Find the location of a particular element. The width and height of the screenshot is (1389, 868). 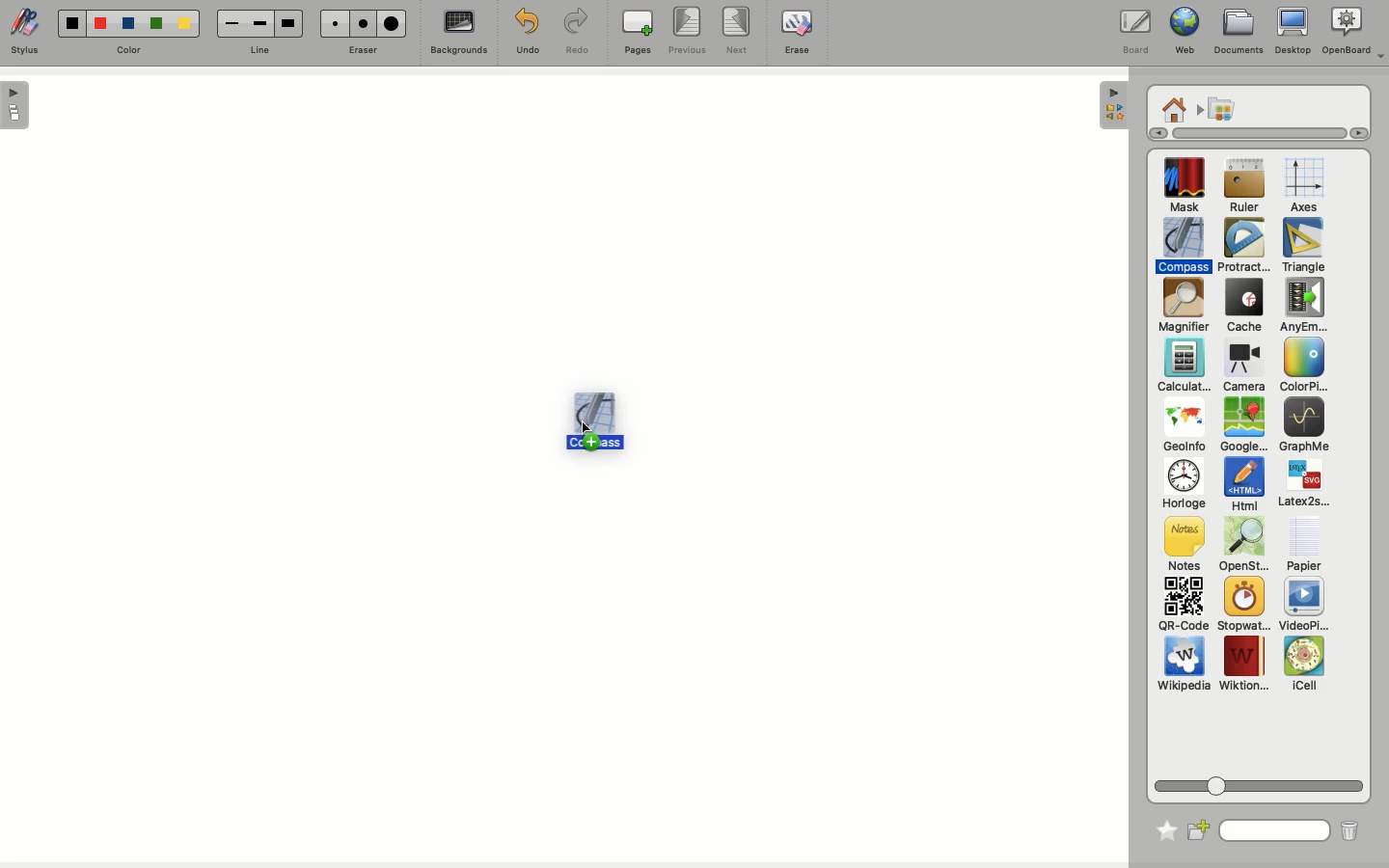

Calculator is located at coordinates (1184, 366).